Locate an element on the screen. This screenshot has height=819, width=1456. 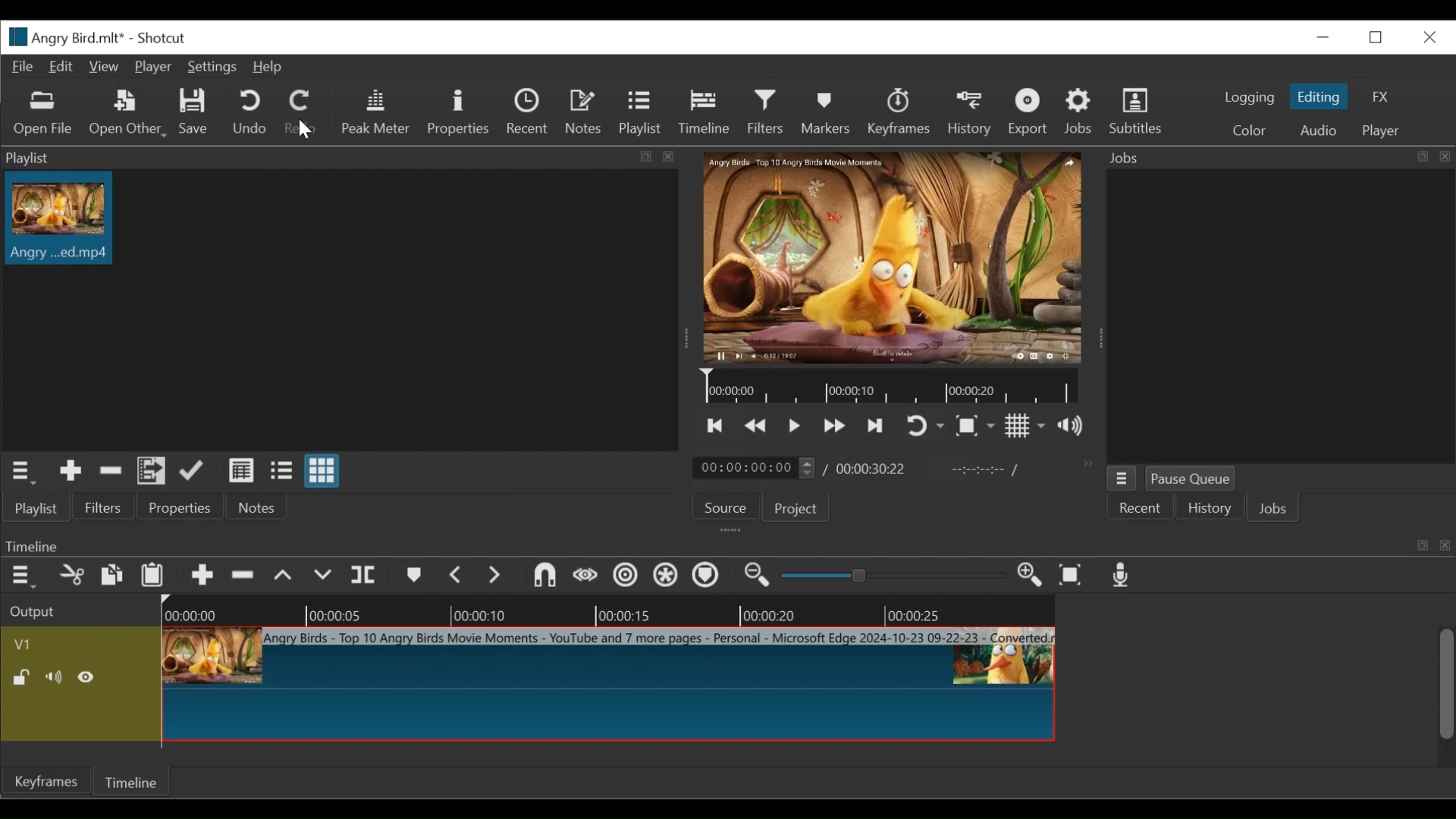
Skip to the next point is located at coordinates (875, 427).